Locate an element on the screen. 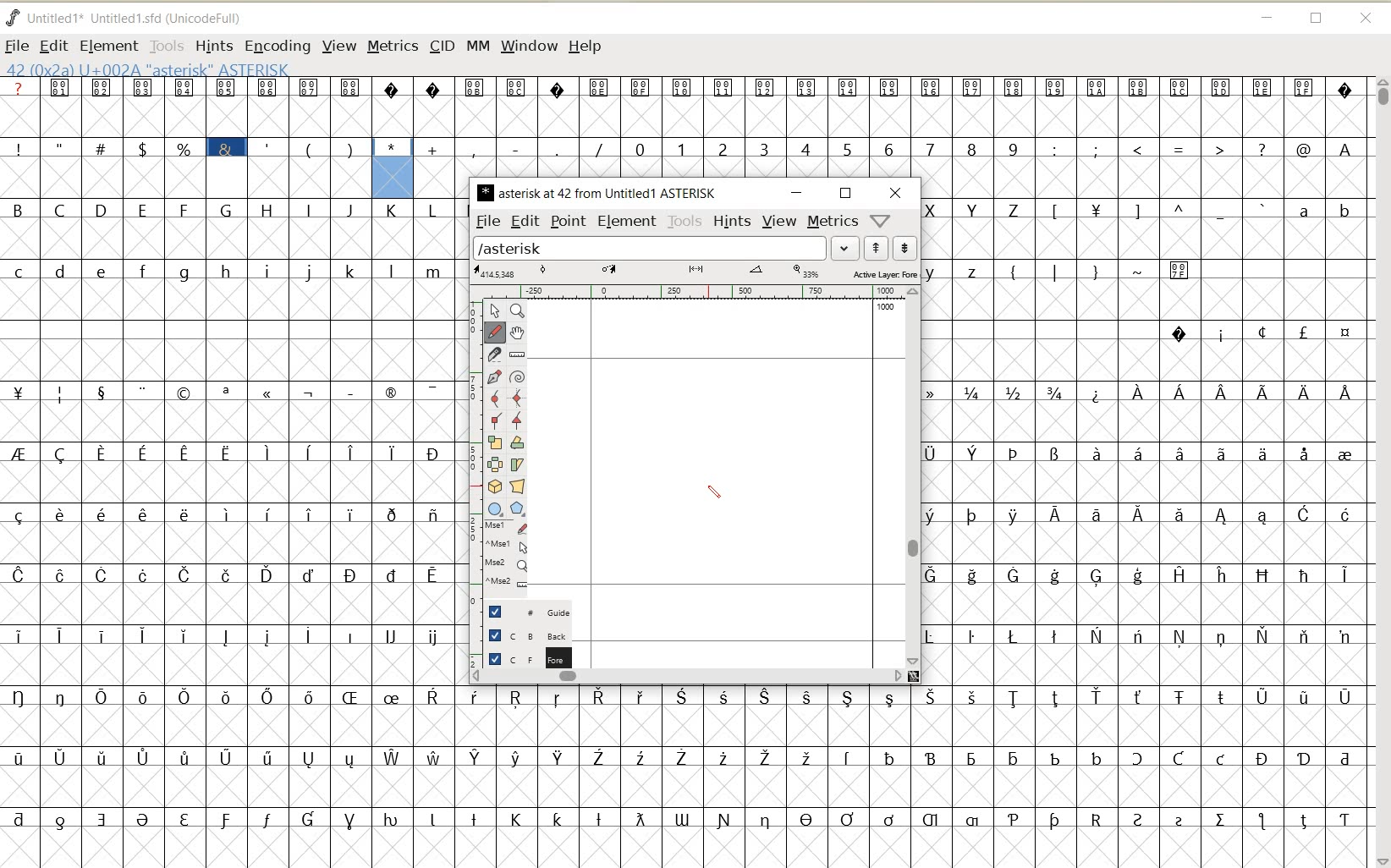 Image resolution: width=1391 pixels, height=868 pixels. EXPAND is located at coordinates (845, 248).